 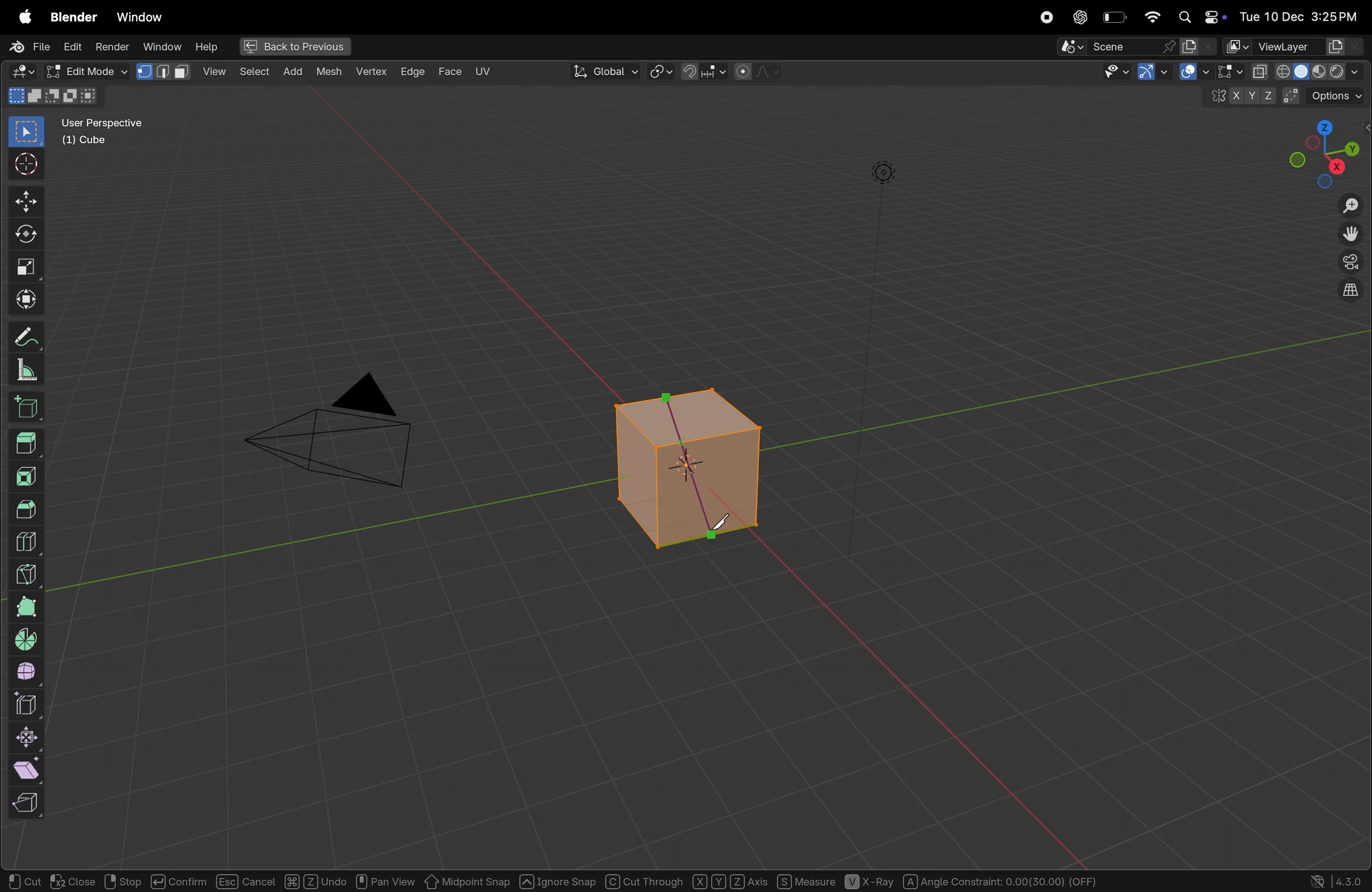 What do you see at coordinates (331, 74) in the screenshot?
I see `Mesh` at bounding box center [331, 74].